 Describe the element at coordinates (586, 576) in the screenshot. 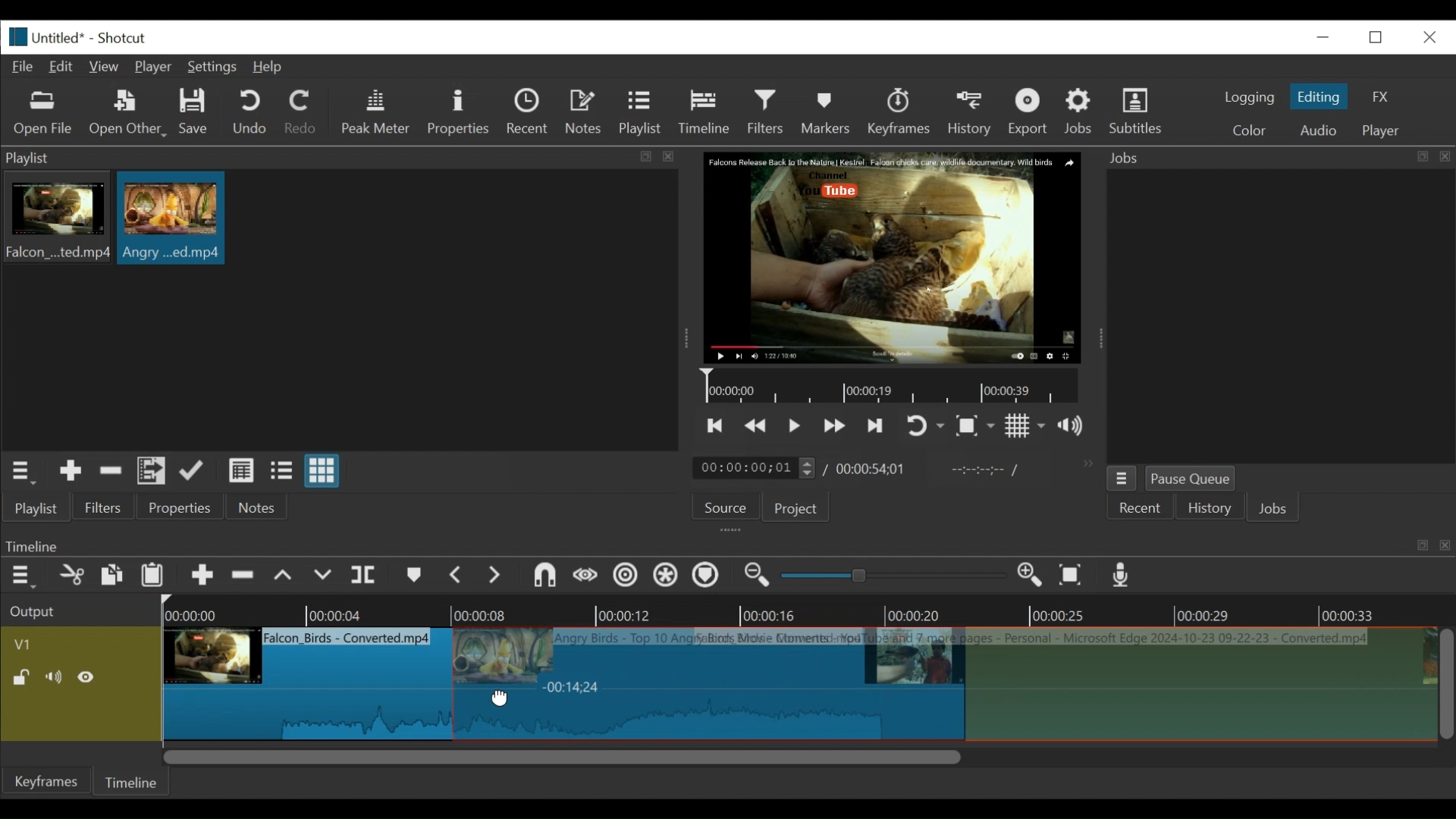

I see `scrub while dragging` at that location.